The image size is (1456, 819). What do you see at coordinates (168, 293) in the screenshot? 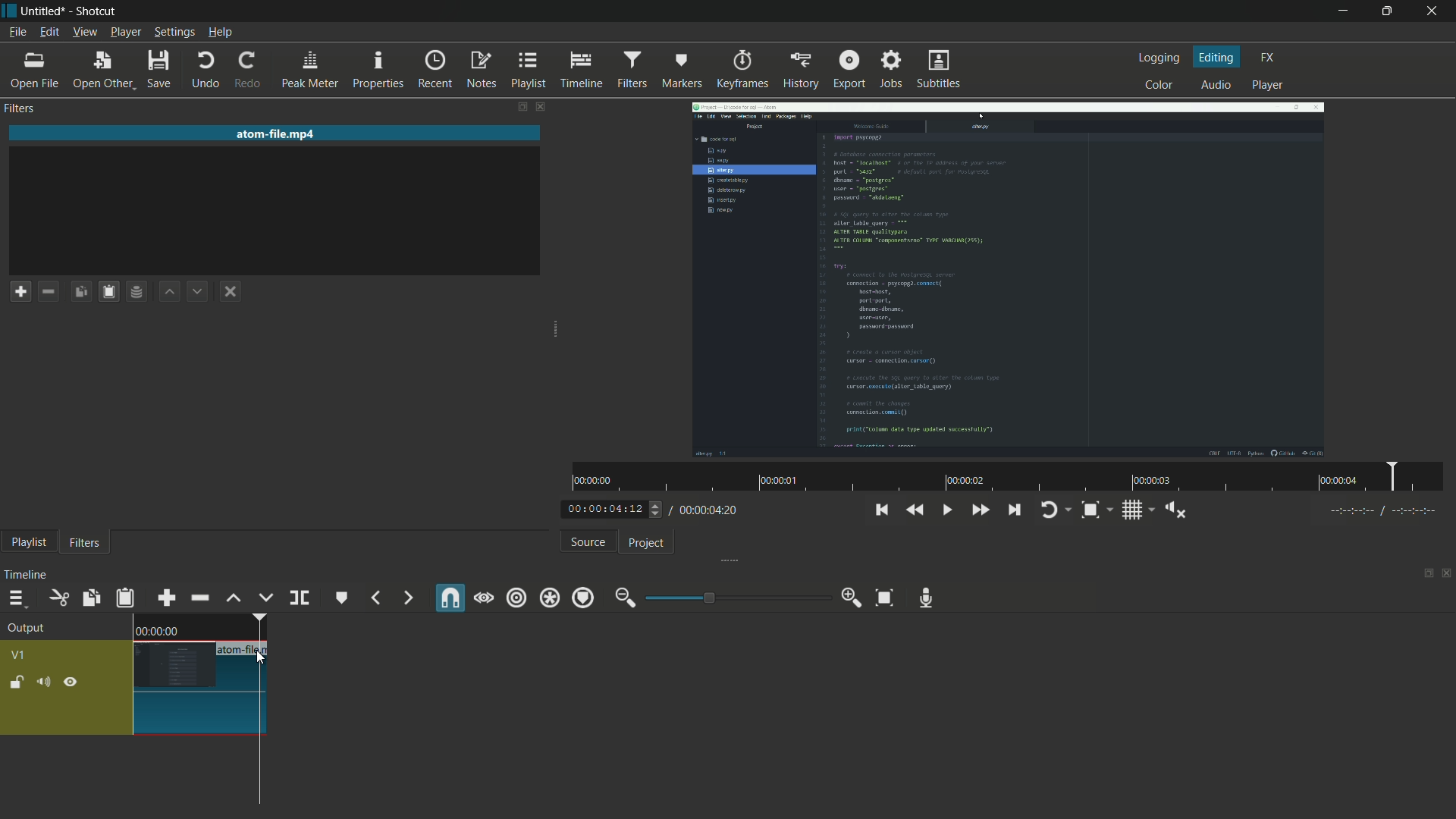
I see `move filter up` at bounding box center [168, 293].